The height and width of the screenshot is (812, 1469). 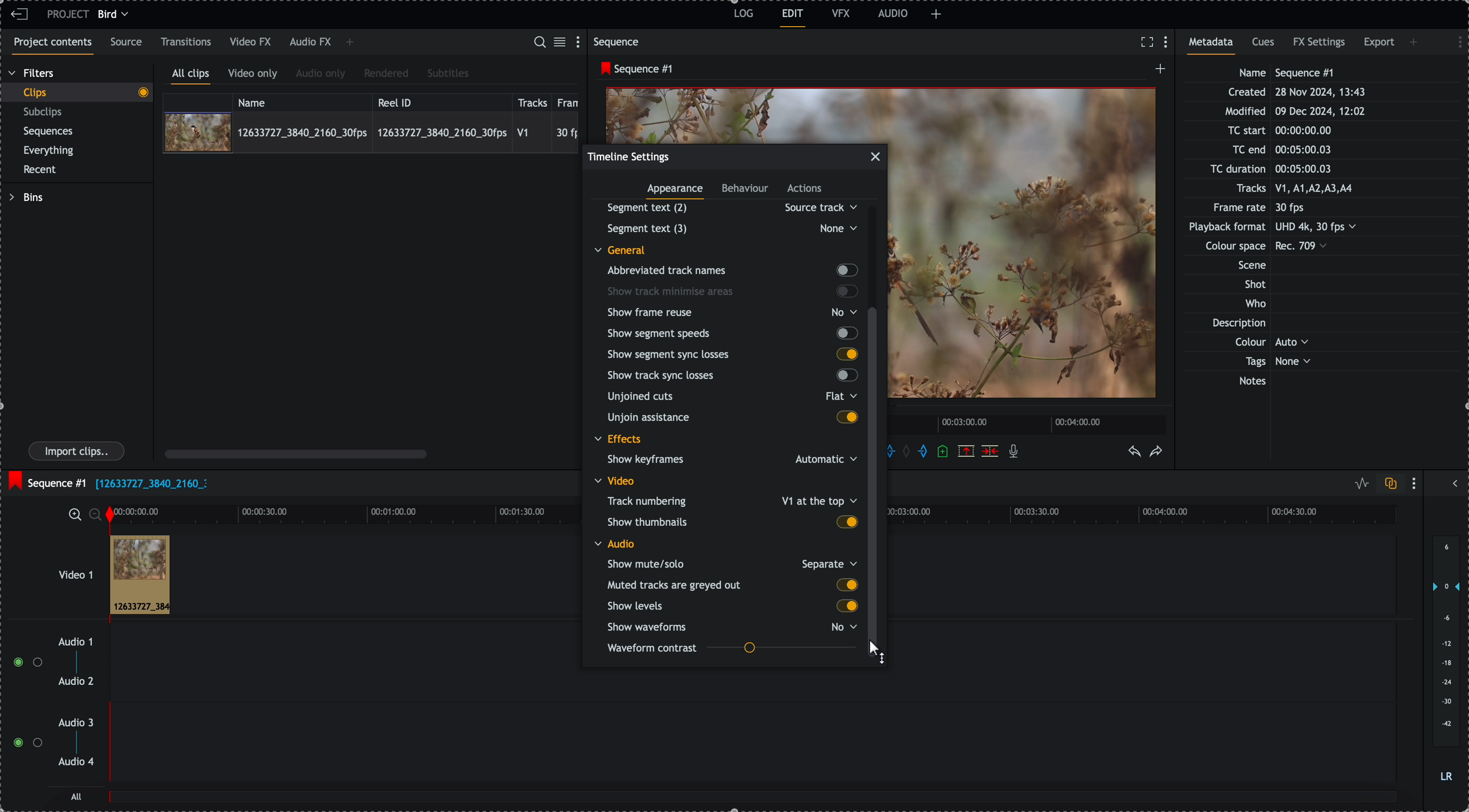 What do you see at coordinates (151, 485) in the screenshot?
I see `file` at bounding box center [151, 485].